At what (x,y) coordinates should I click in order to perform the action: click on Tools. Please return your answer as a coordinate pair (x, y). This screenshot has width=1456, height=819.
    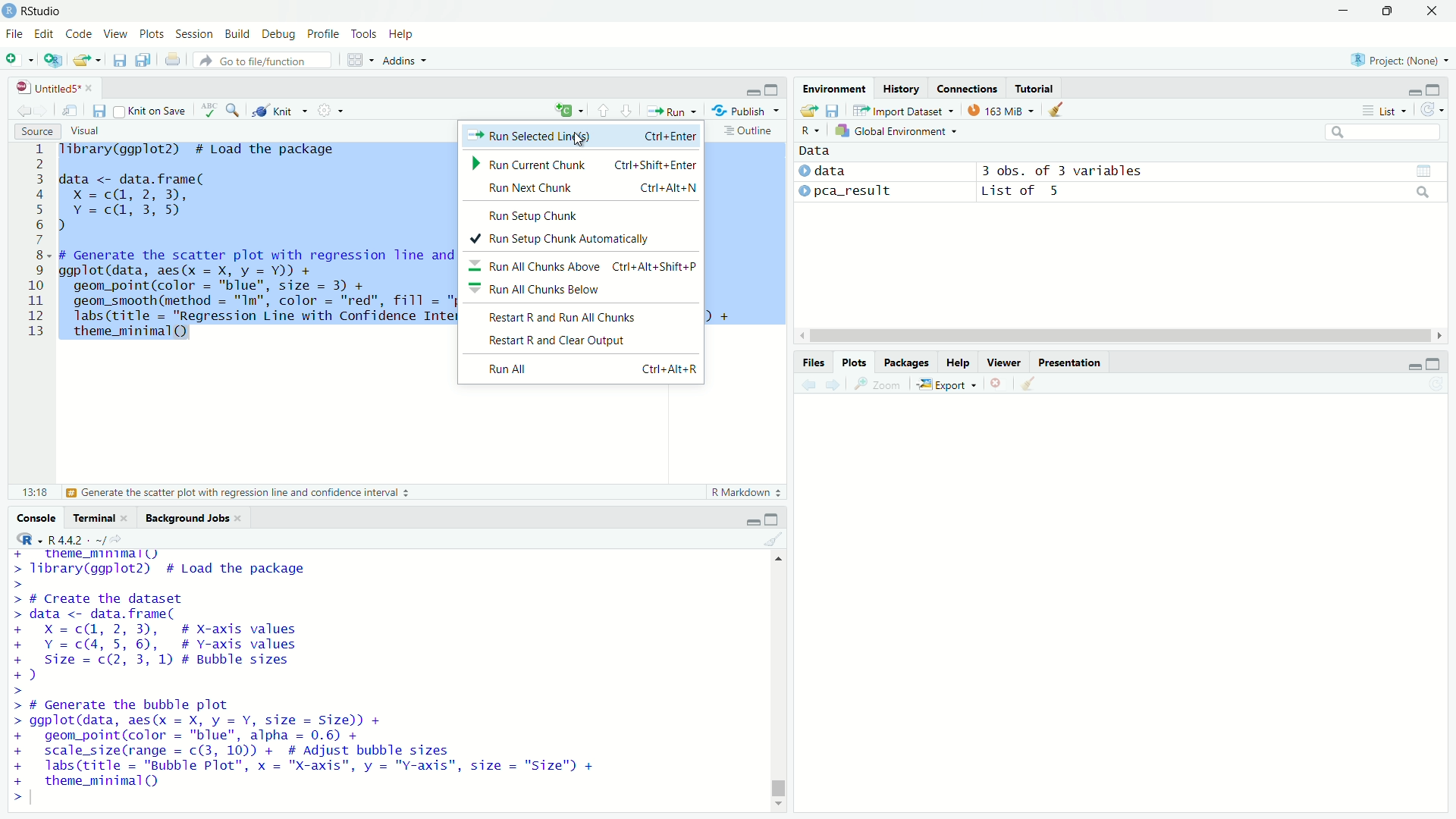
    Looking at the image, I should click on (364, 34).